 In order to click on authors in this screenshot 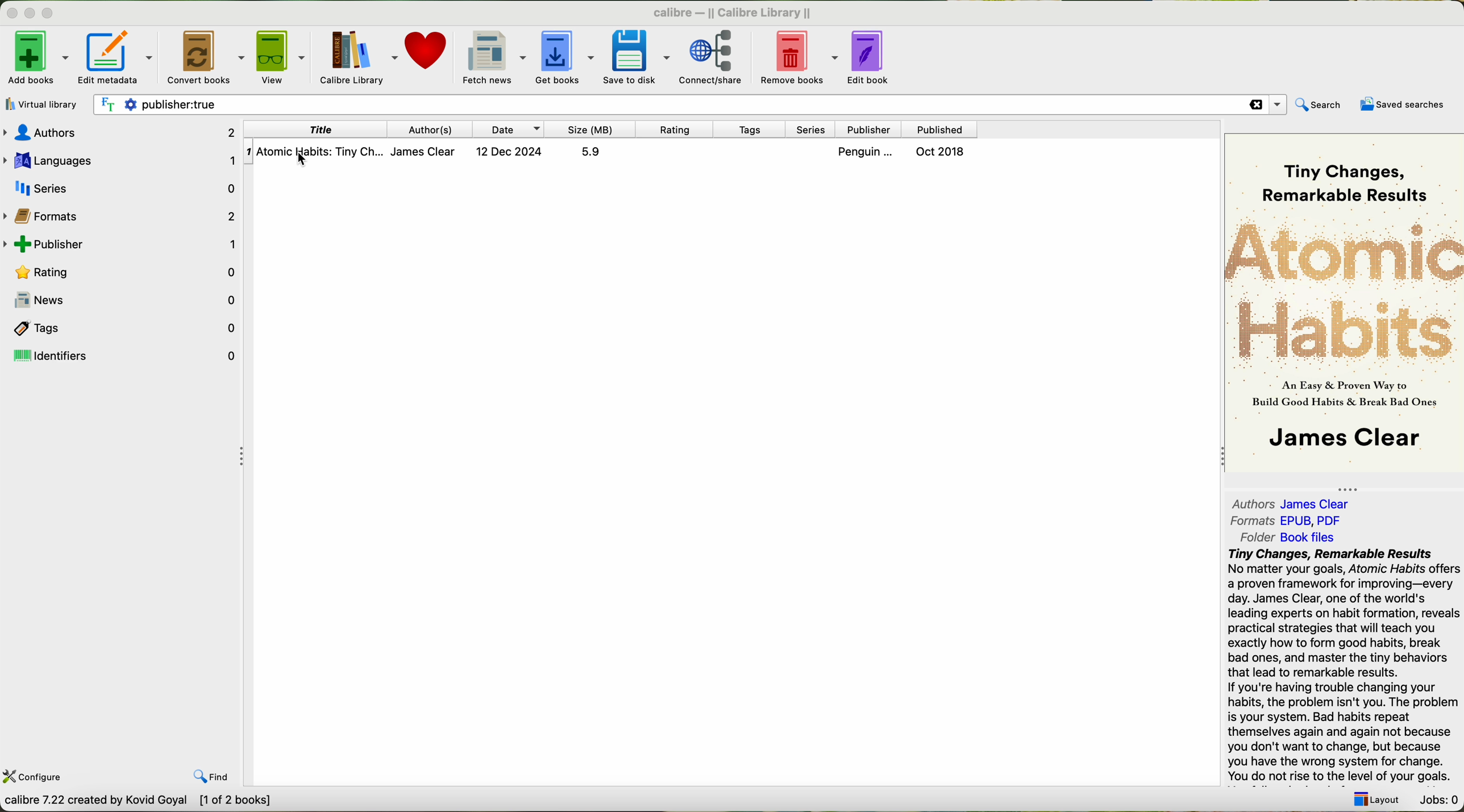, I will do `click(431, 130)`.